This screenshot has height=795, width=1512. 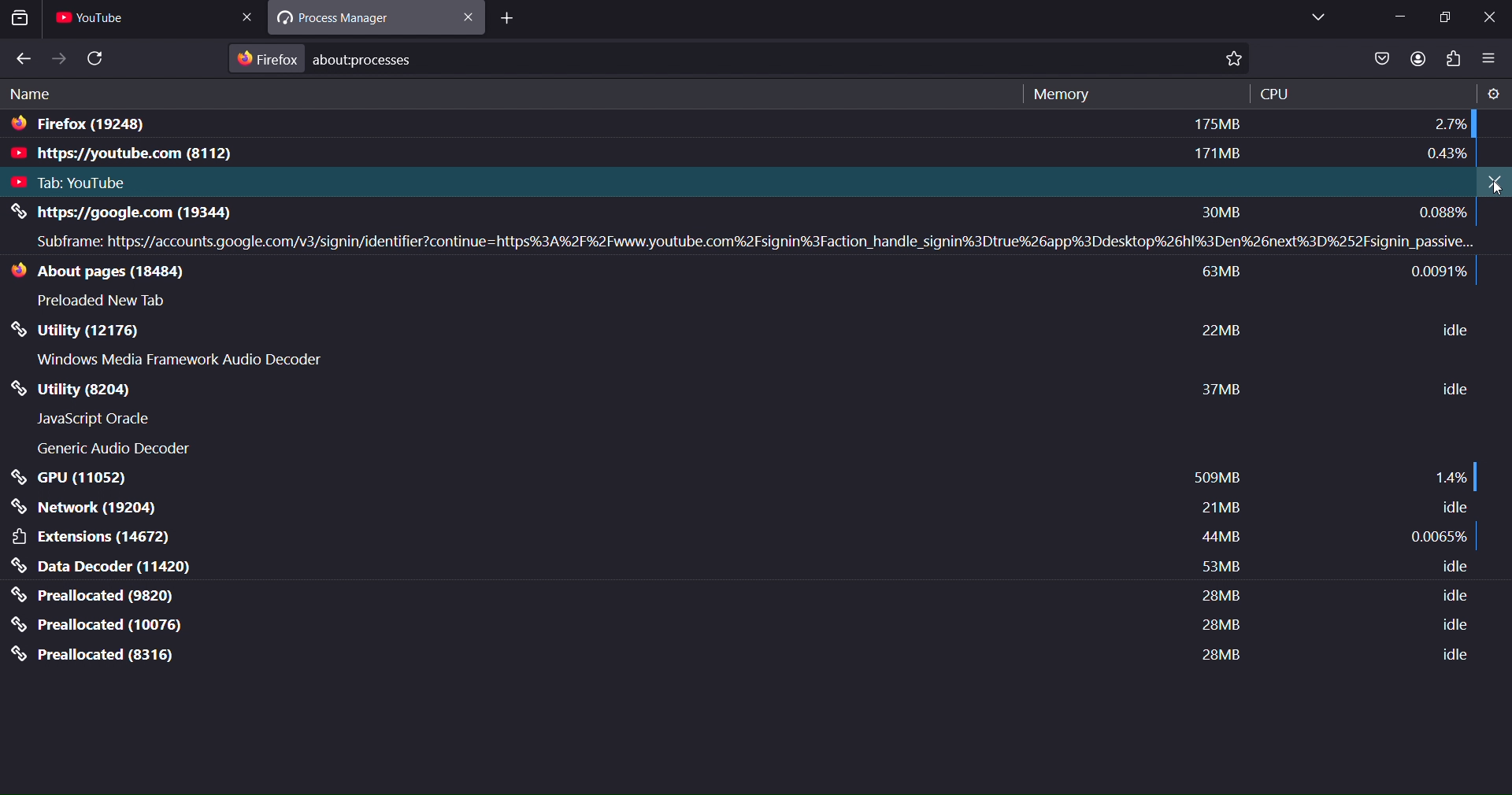 What do you see at coordinates (105, 420) in the screenshot?
I see `JavaScript Oracle` at bounding box center [105, 420].